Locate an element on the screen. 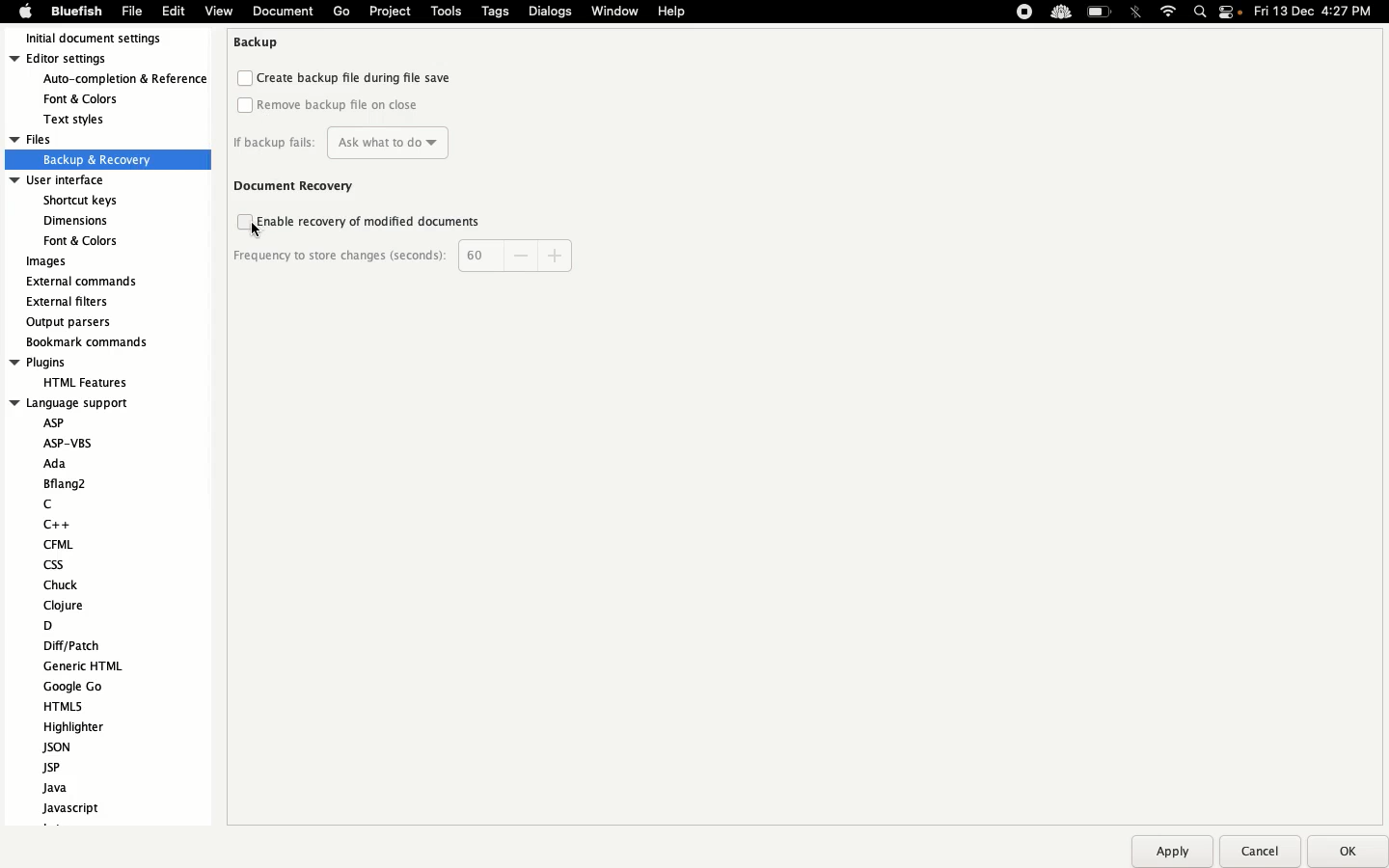 Image resolution: width=1389 pixels, height=868 pixels. Plugins  is located at coordinates (77, 374).